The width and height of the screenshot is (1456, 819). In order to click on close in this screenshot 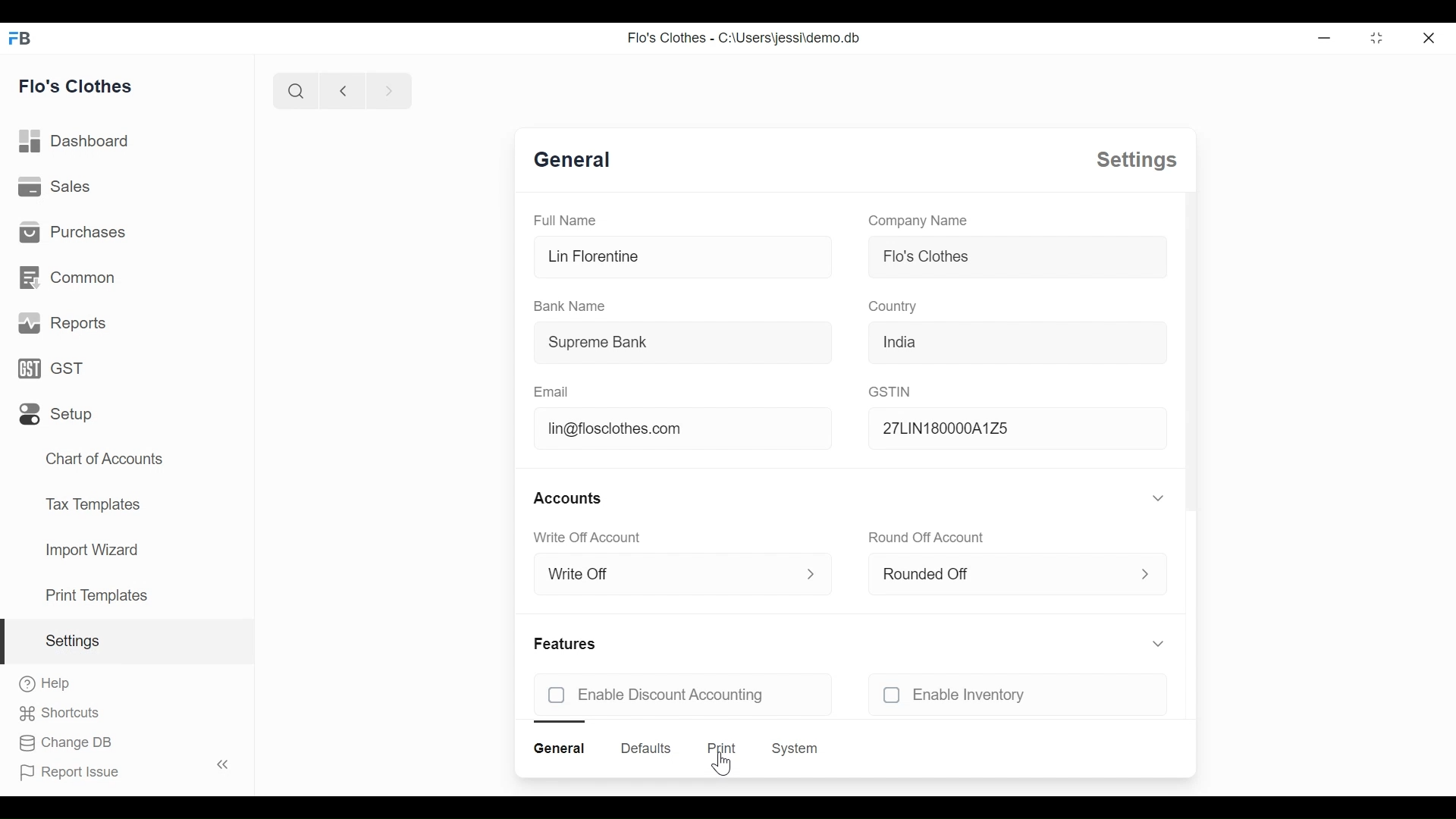, I will do `click(1428, 37)`.